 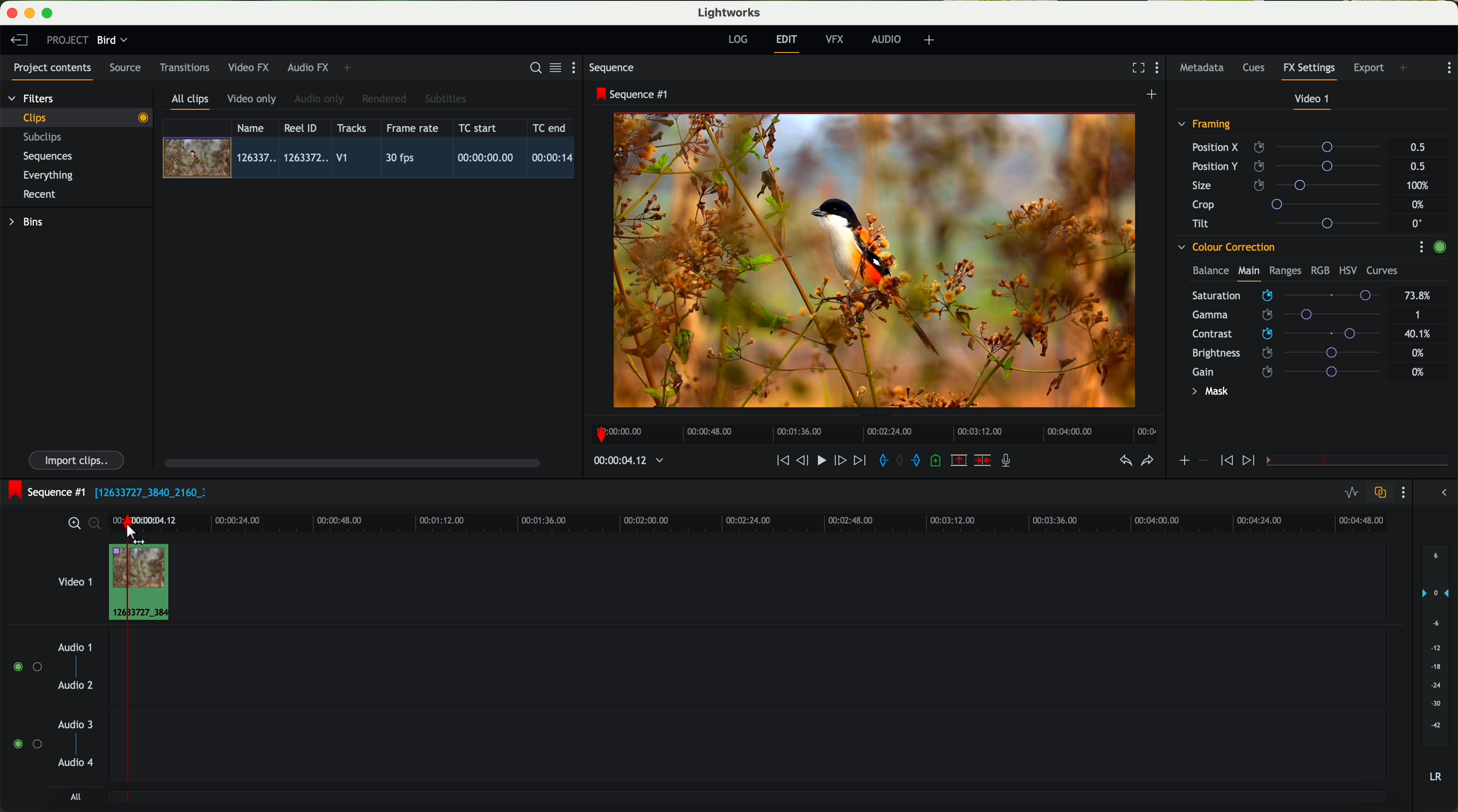 What do you see at coordinates (937, 461) in the screenshot?
I see `add a cue at the current position` at bounding box center [937, 461].